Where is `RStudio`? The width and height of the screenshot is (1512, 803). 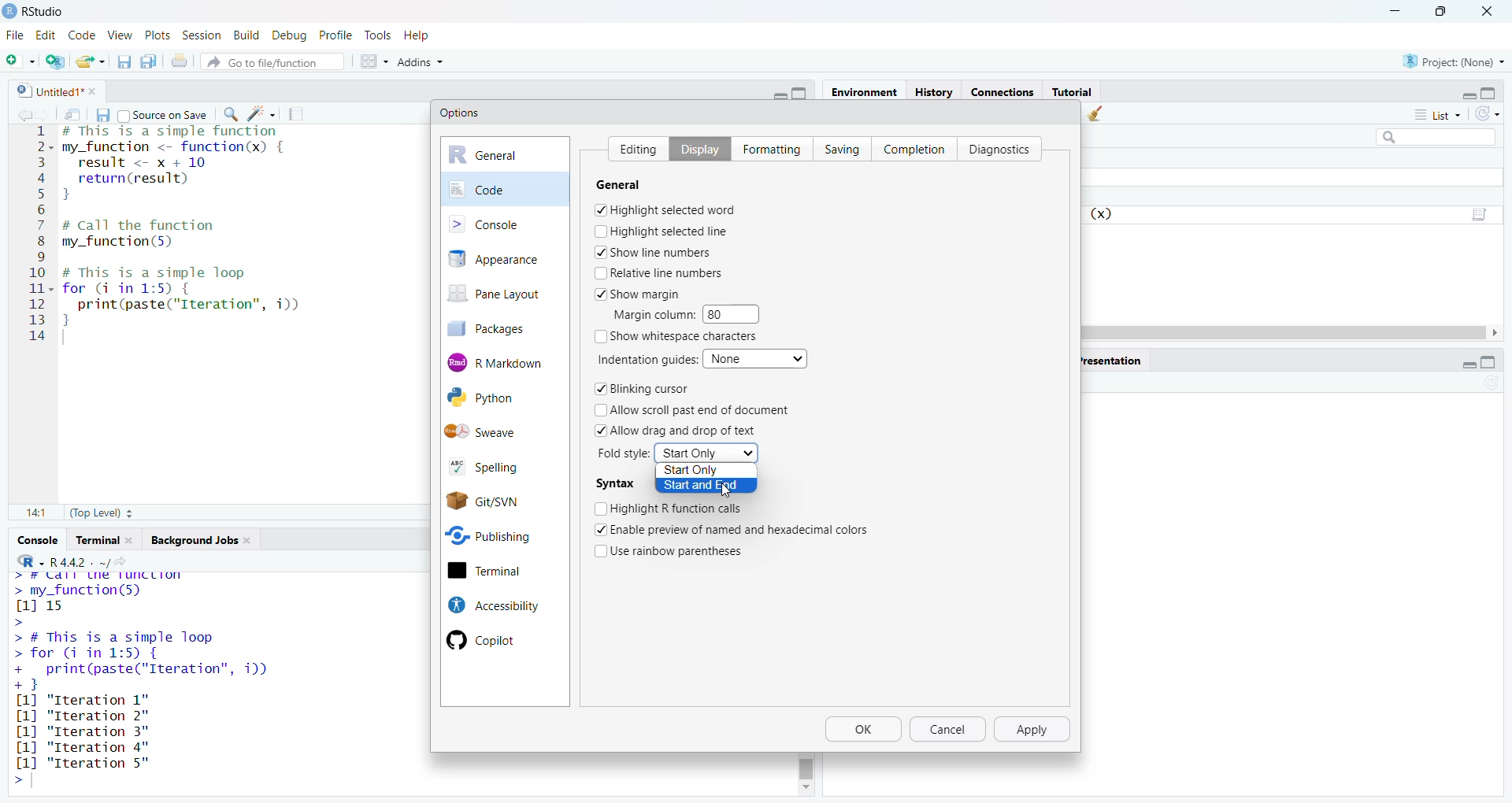 RStudio is located at coordinates (51, 9).